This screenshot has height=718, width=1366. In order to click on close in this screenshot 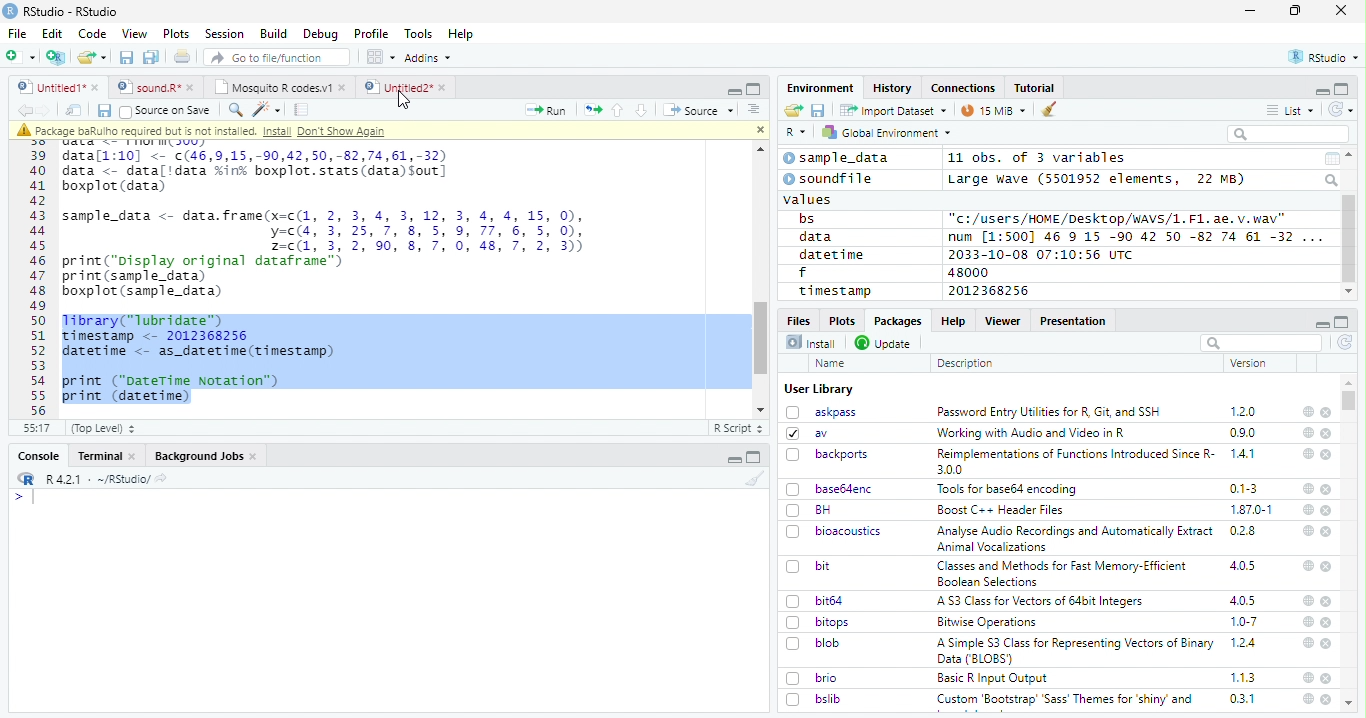, I will do `click(1327, 566)`.